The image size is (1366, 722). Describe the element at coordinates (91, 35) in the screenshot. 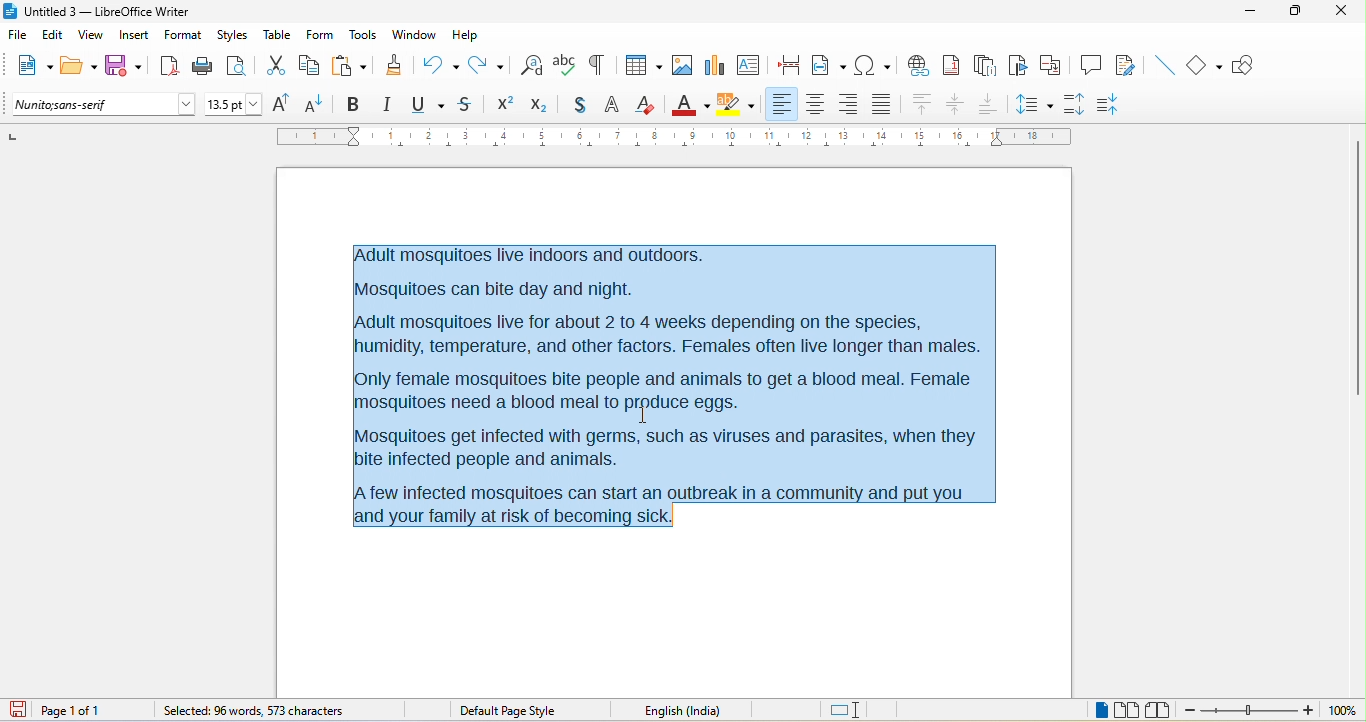

I see `view` at that location.